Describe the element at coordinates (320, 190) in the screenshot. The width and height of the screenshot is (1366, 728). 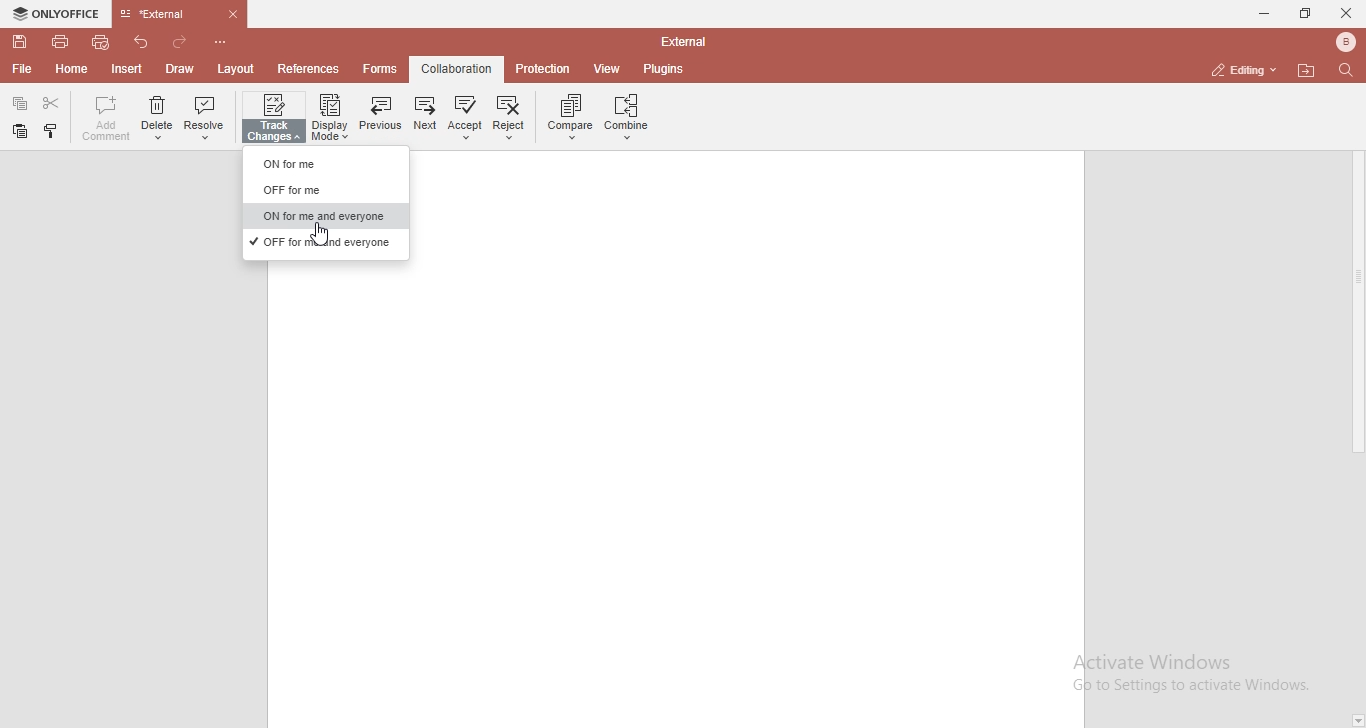
I see `OFF for me` at that location.